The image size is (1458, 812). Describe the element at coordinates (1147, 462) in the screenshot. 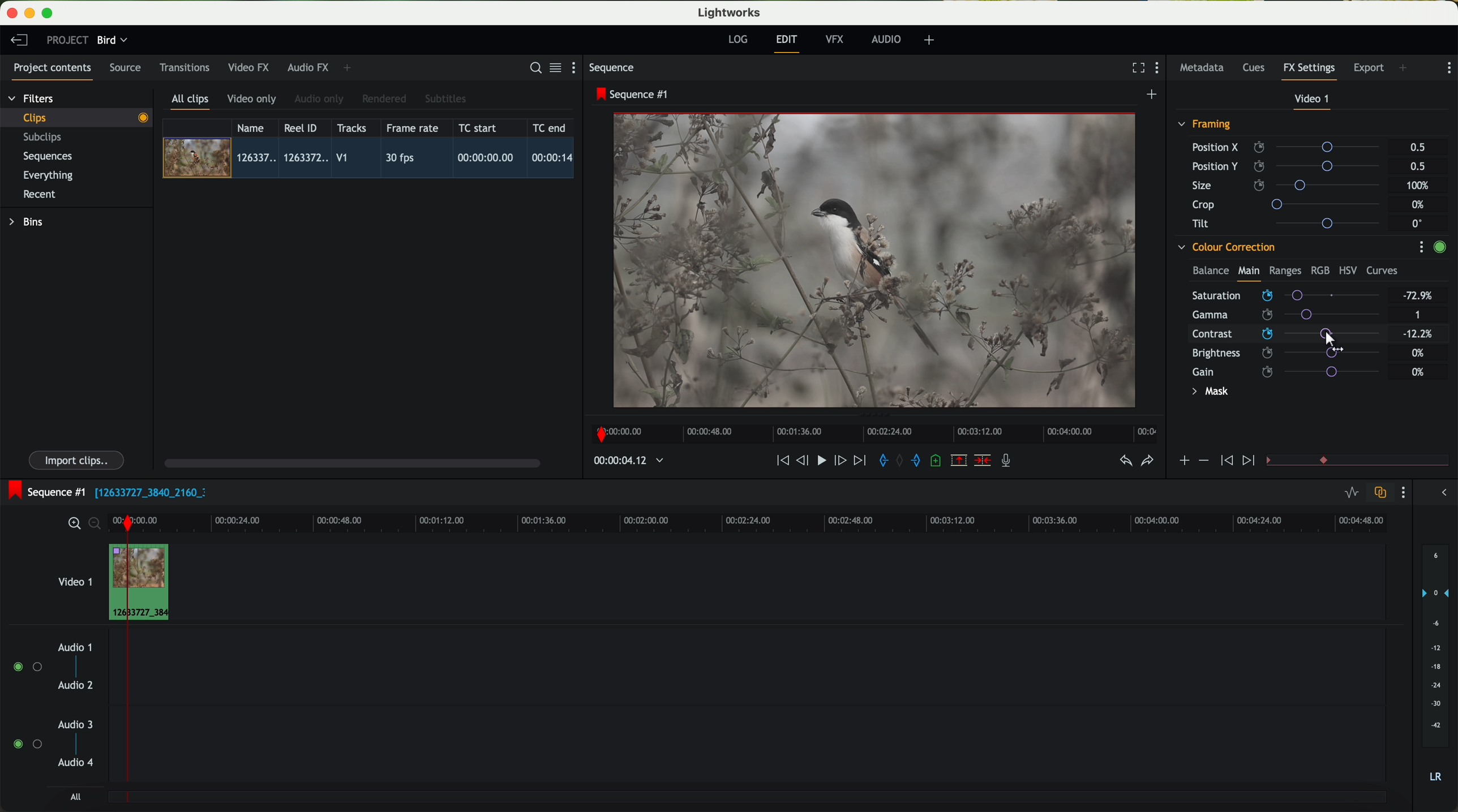

I see `redo` at that location.